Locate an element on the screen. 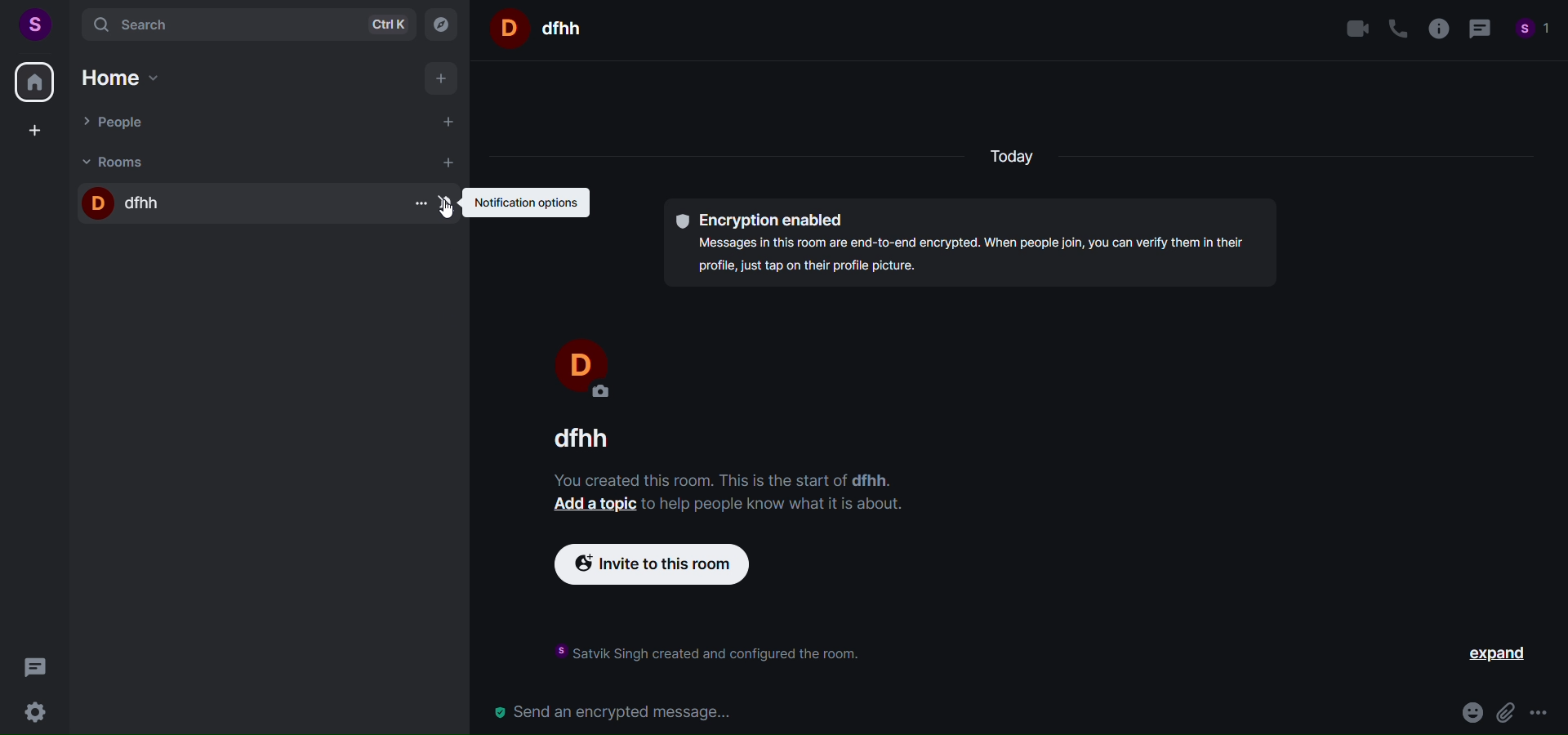 Image resolution: width=1568 pixels, height=735 pixels. more is located at coordinates (1540, 712).